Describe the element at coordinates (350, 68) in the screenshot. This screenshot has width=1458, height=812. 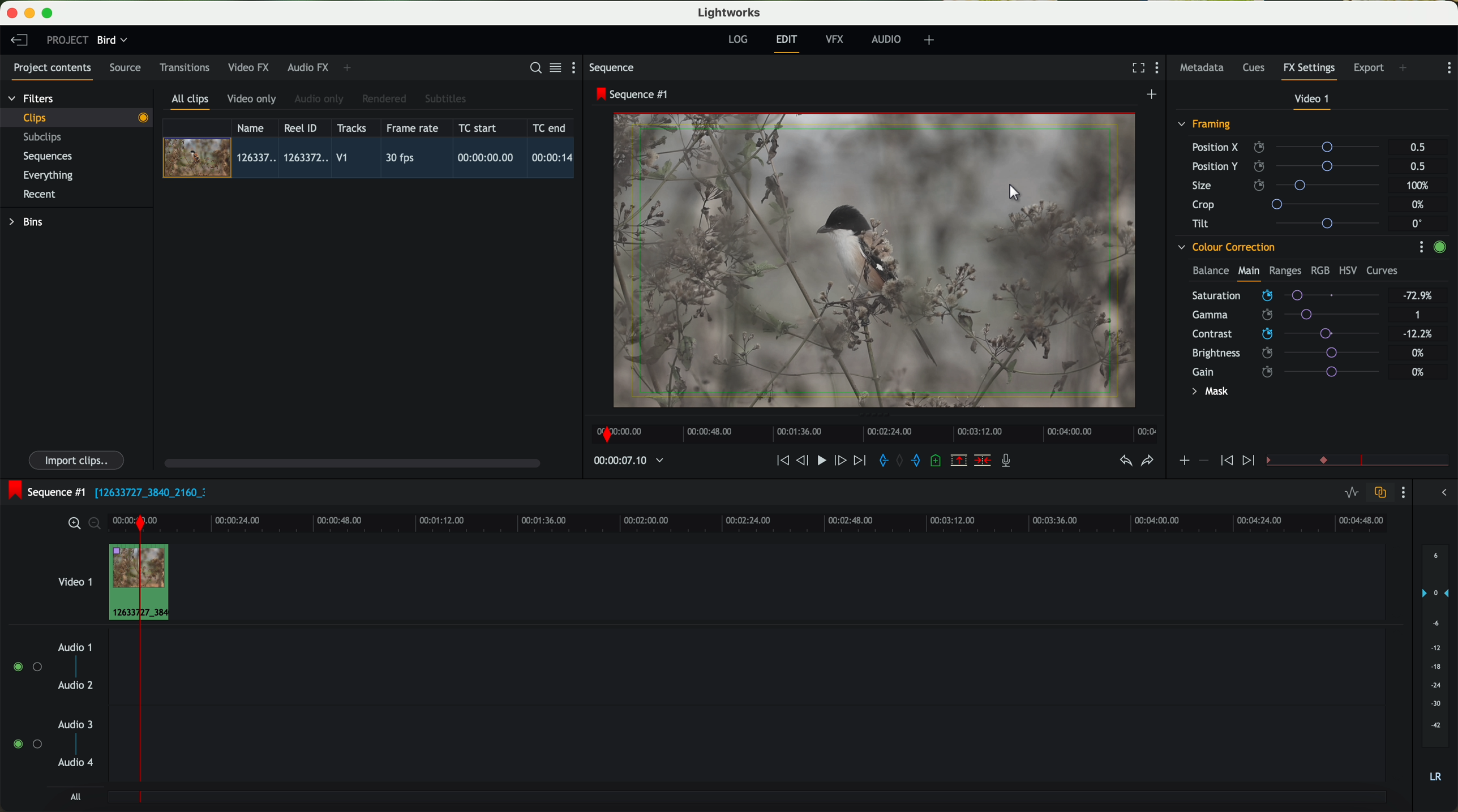
I see `add panel` at that location.